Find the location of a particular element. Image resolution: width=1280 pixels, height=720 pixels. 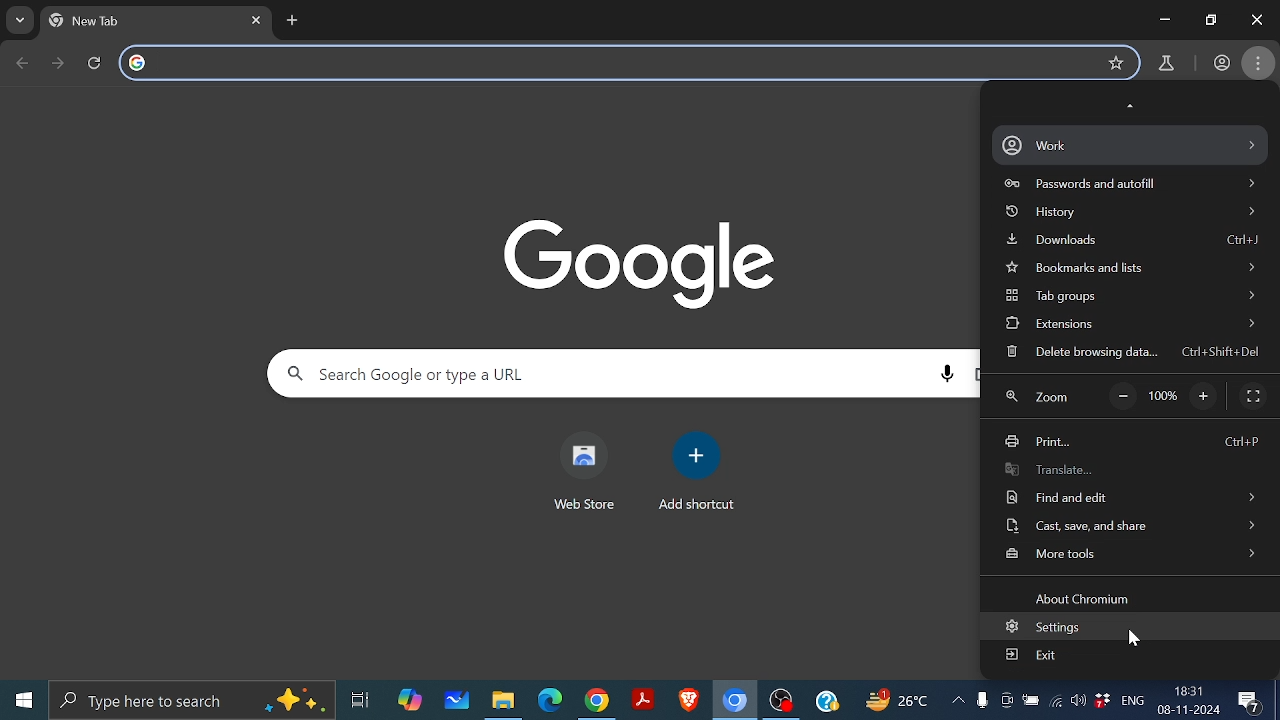

obs studio is located at coordinates (782, 703).